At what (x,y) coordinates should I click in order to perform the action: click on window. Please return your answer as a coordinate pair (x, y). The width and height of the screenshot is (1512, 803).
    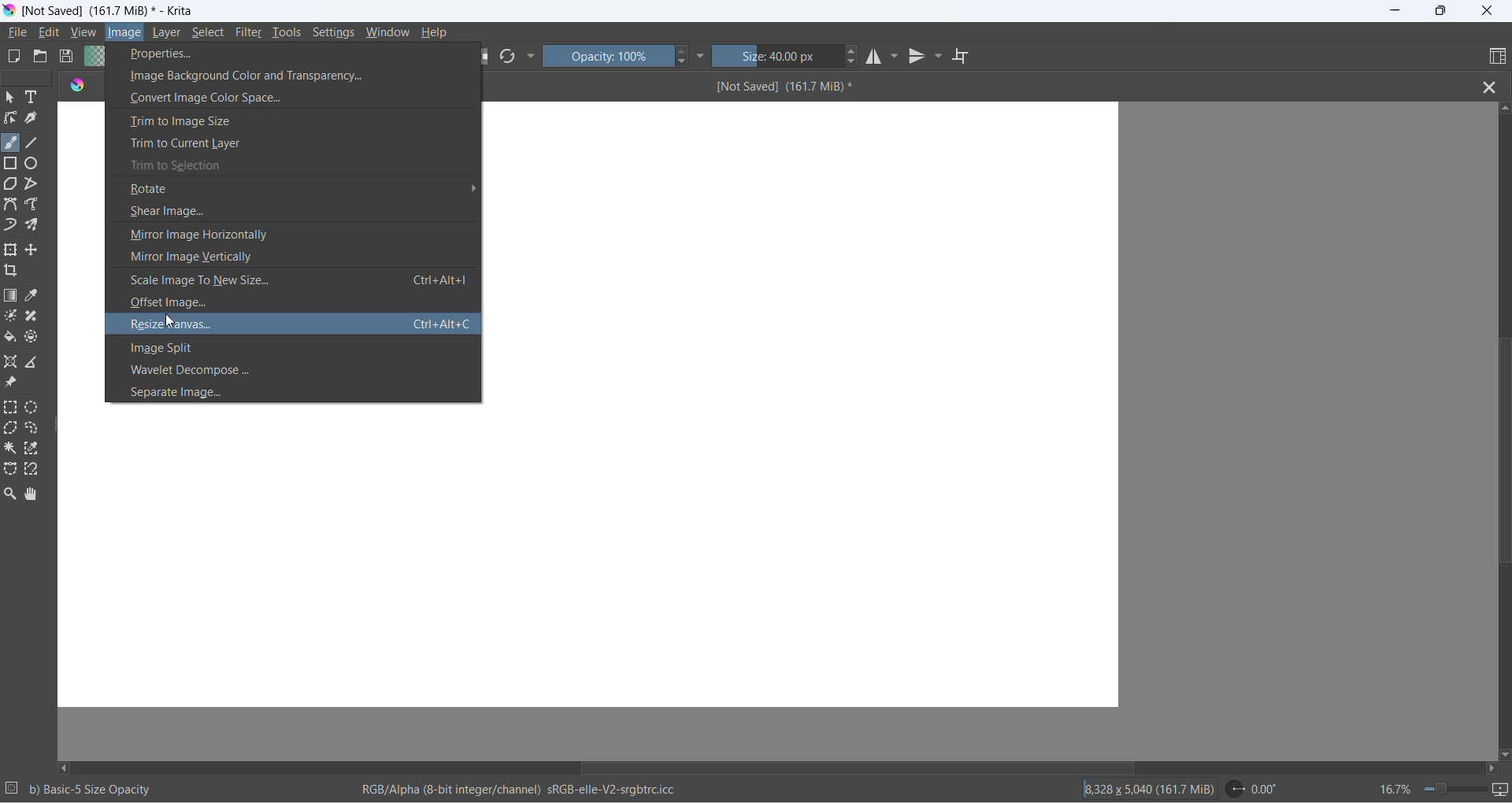
    Looking at the image, I should click on (387, 34).